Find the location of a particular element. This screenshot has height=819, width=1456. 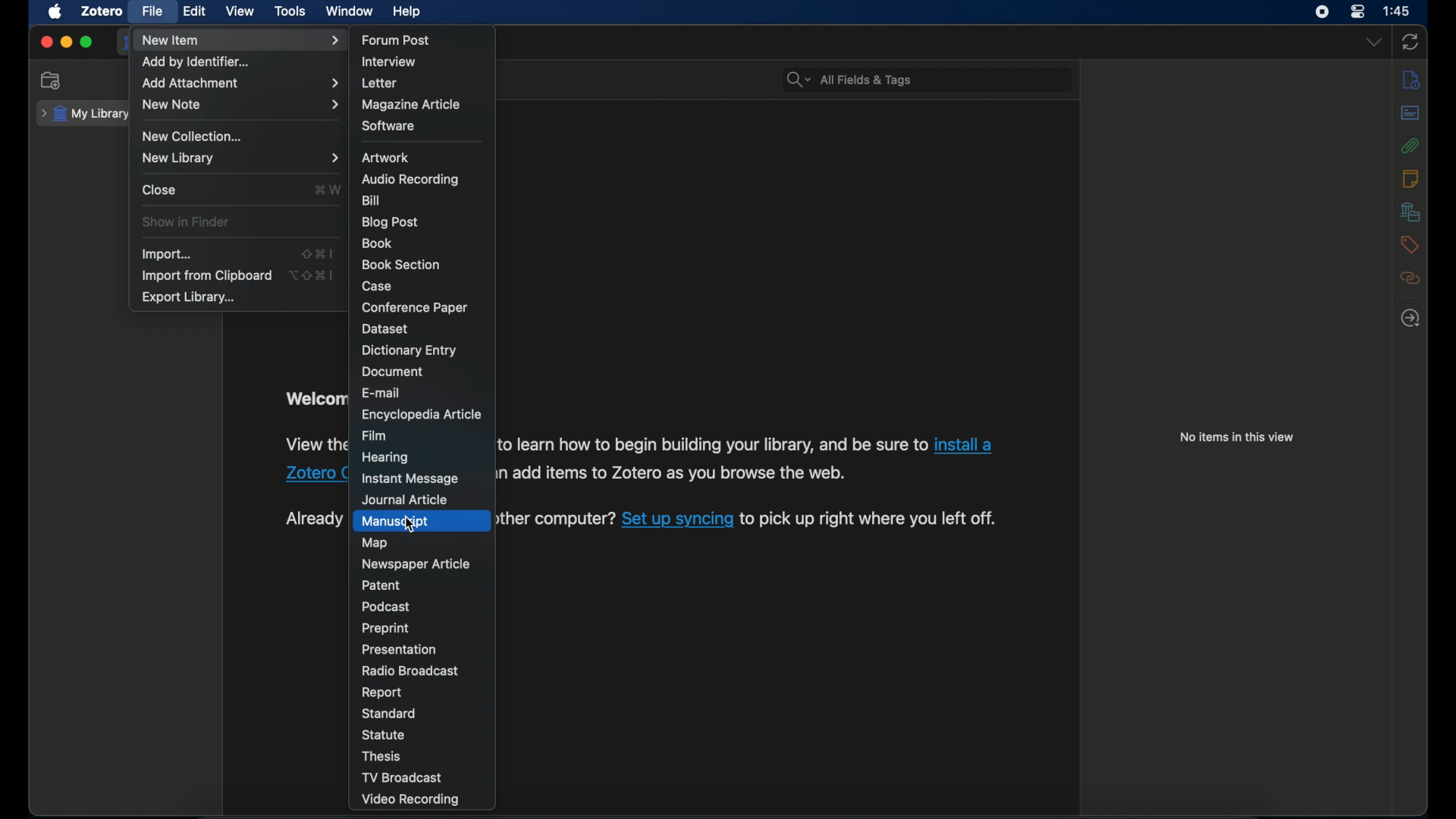

import from clipboard is located at coordinates (206, 275).